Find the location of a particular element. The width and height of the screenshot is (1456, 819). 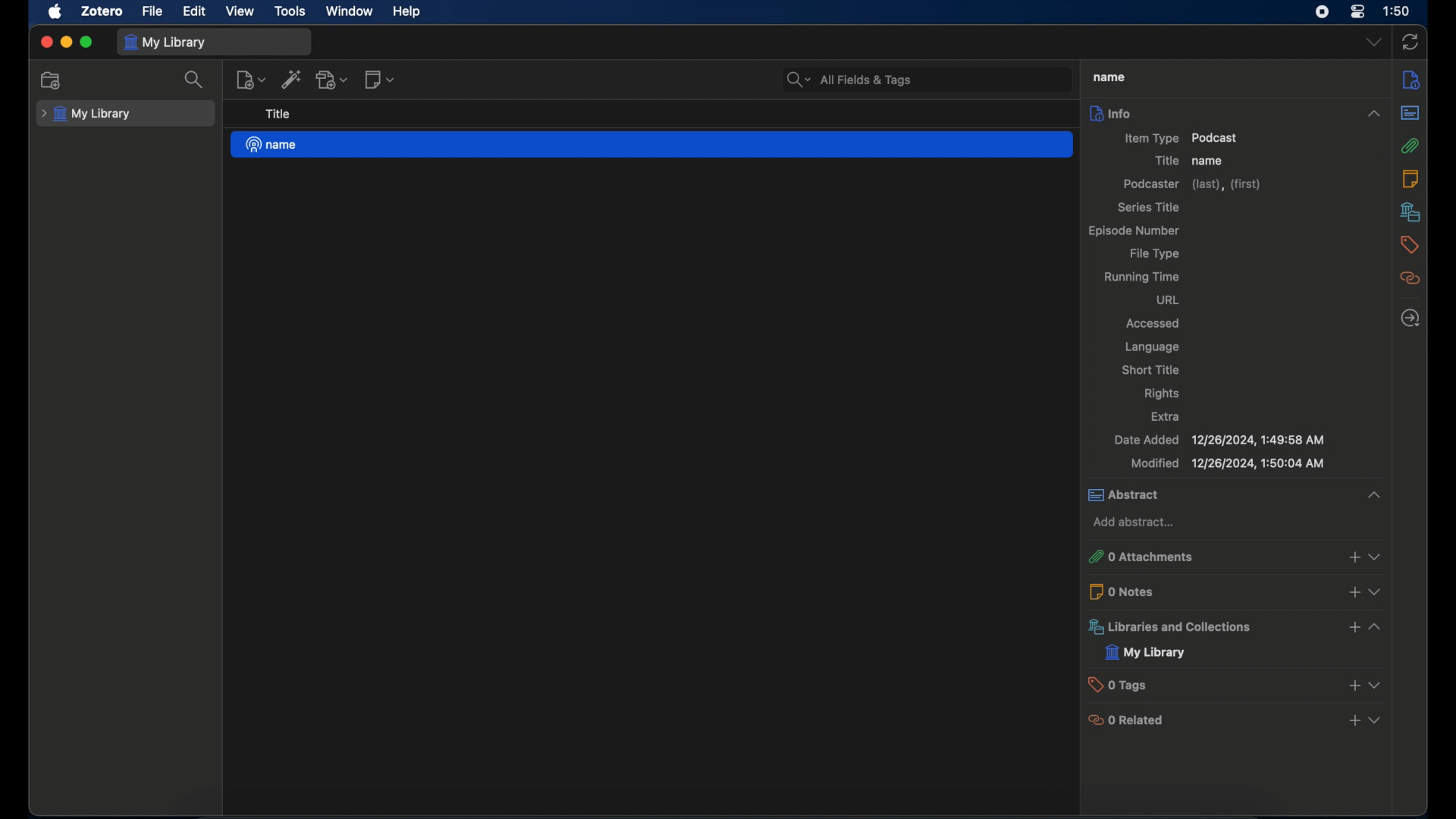

locate is located at coordinates (1410, 319).